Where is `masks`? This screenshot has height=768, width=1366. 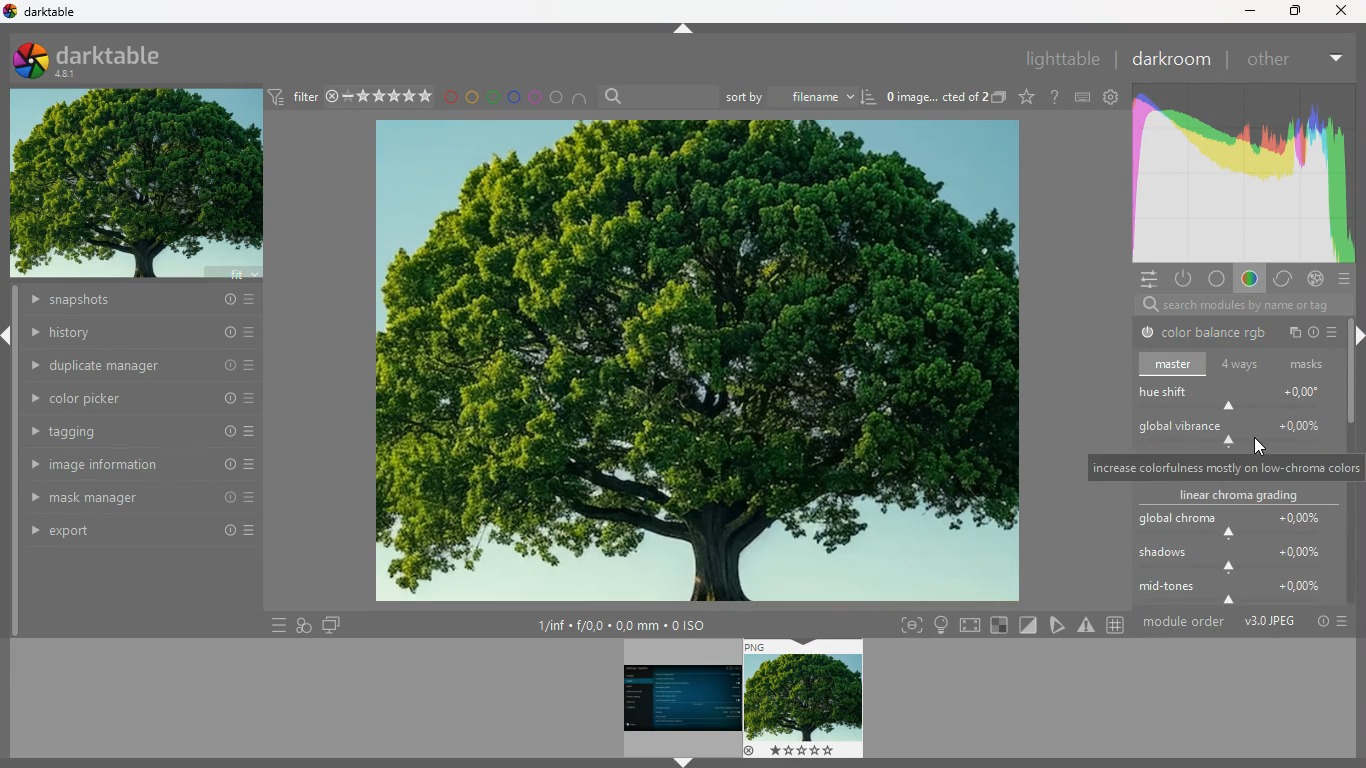 masks is located at coordinates (1309, 364).